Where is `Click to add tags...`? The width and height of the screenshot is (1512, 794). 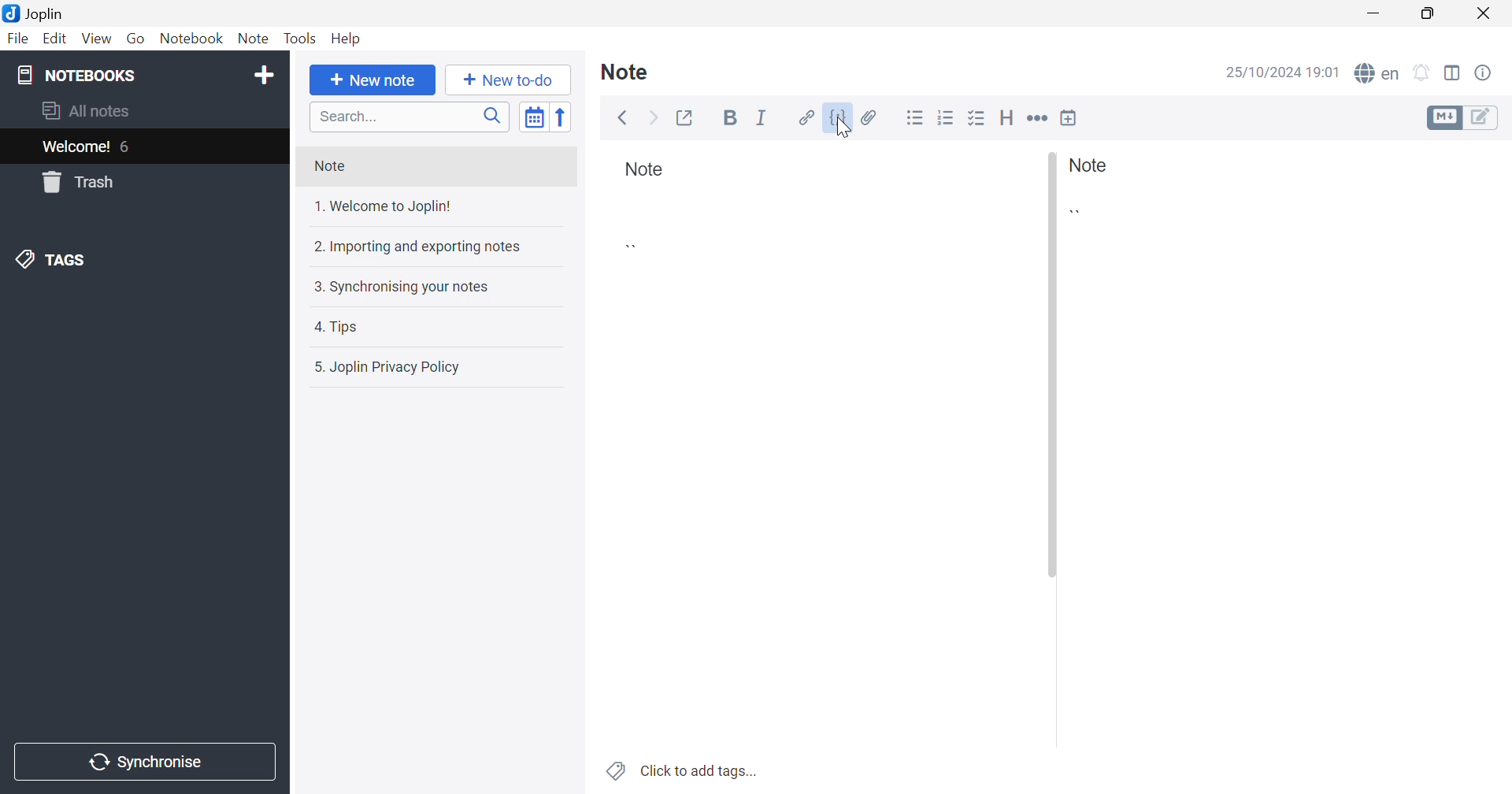
Click to add tags... is located at coordinates (704, 770).